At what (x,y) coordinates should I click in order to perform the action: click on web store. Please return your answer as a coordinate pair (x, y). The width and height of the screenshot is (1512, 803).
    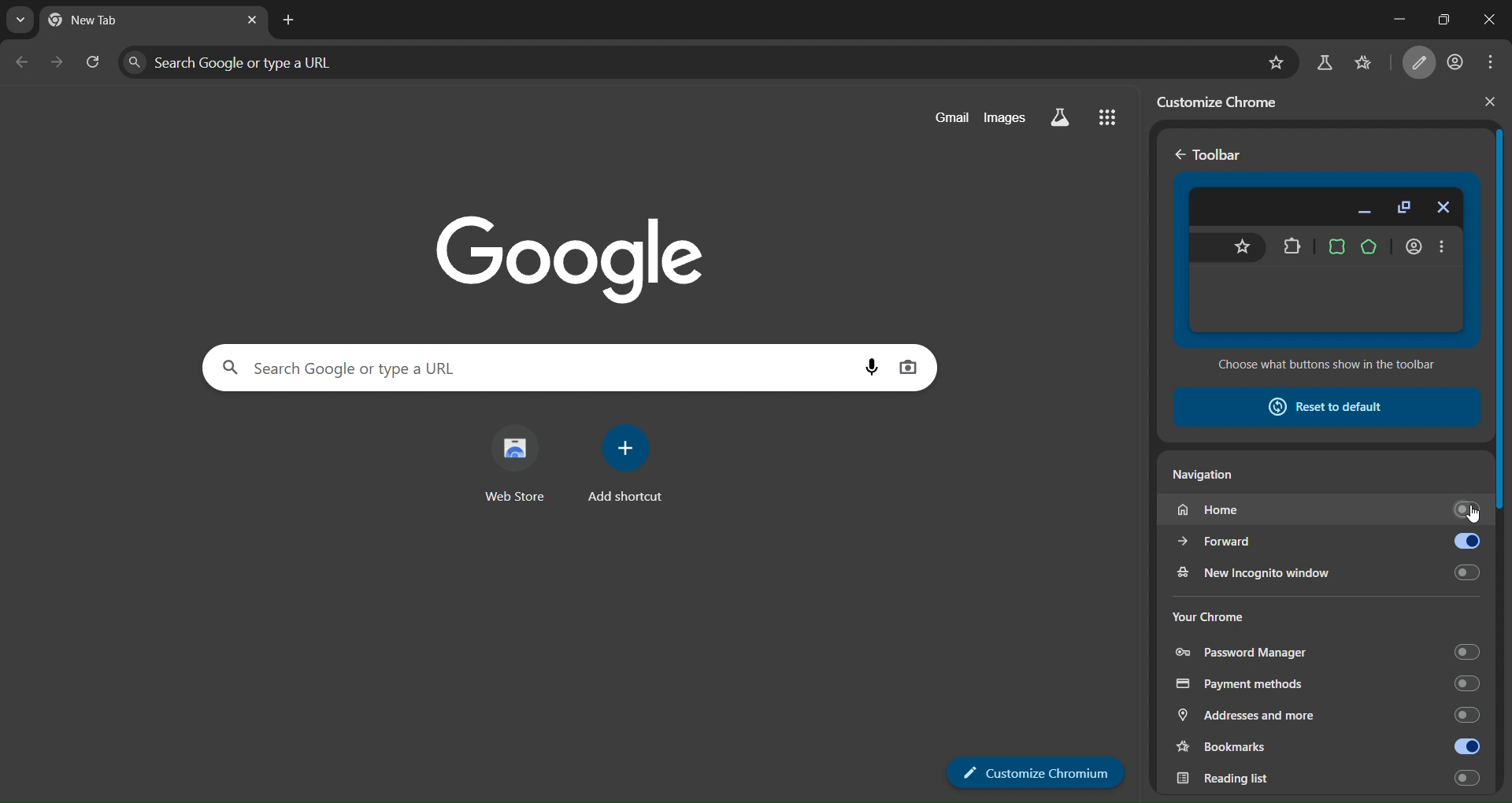
    Looking at the image, I should click on (511, 466).